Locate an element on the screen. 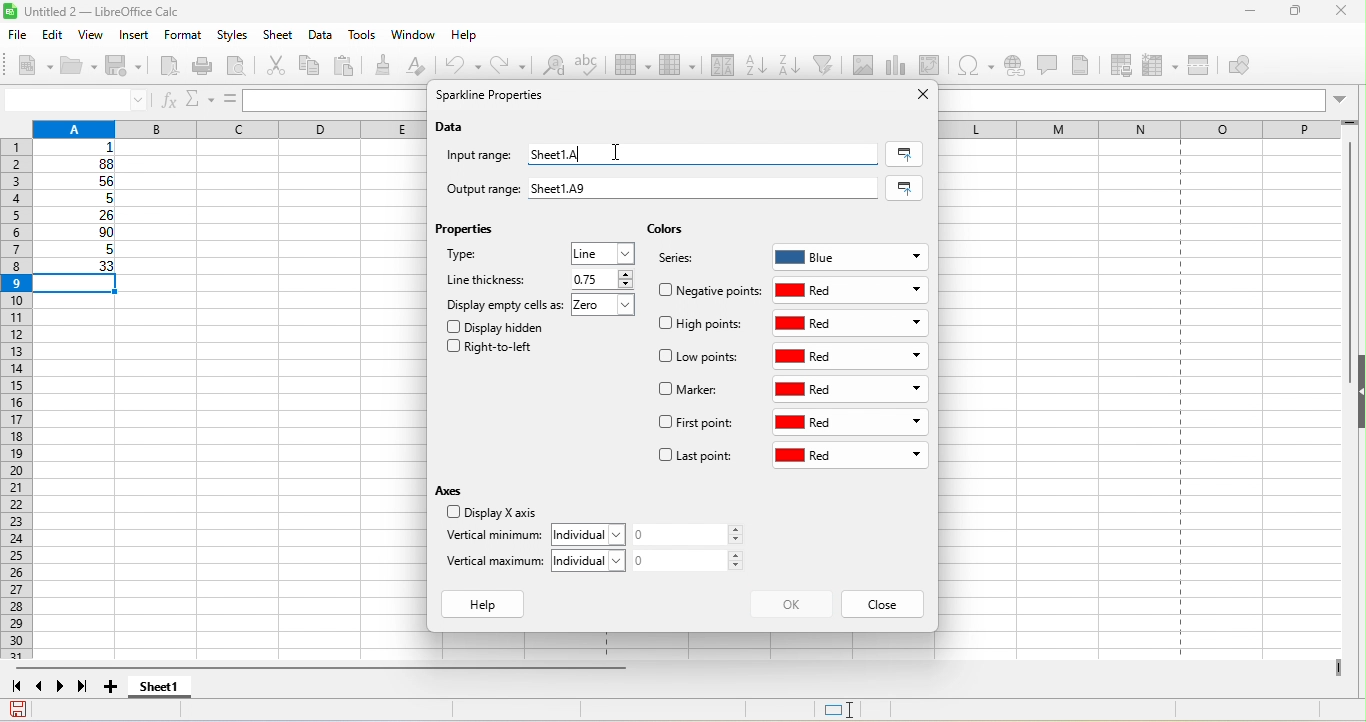  chart is located at coordinates (898, 65).